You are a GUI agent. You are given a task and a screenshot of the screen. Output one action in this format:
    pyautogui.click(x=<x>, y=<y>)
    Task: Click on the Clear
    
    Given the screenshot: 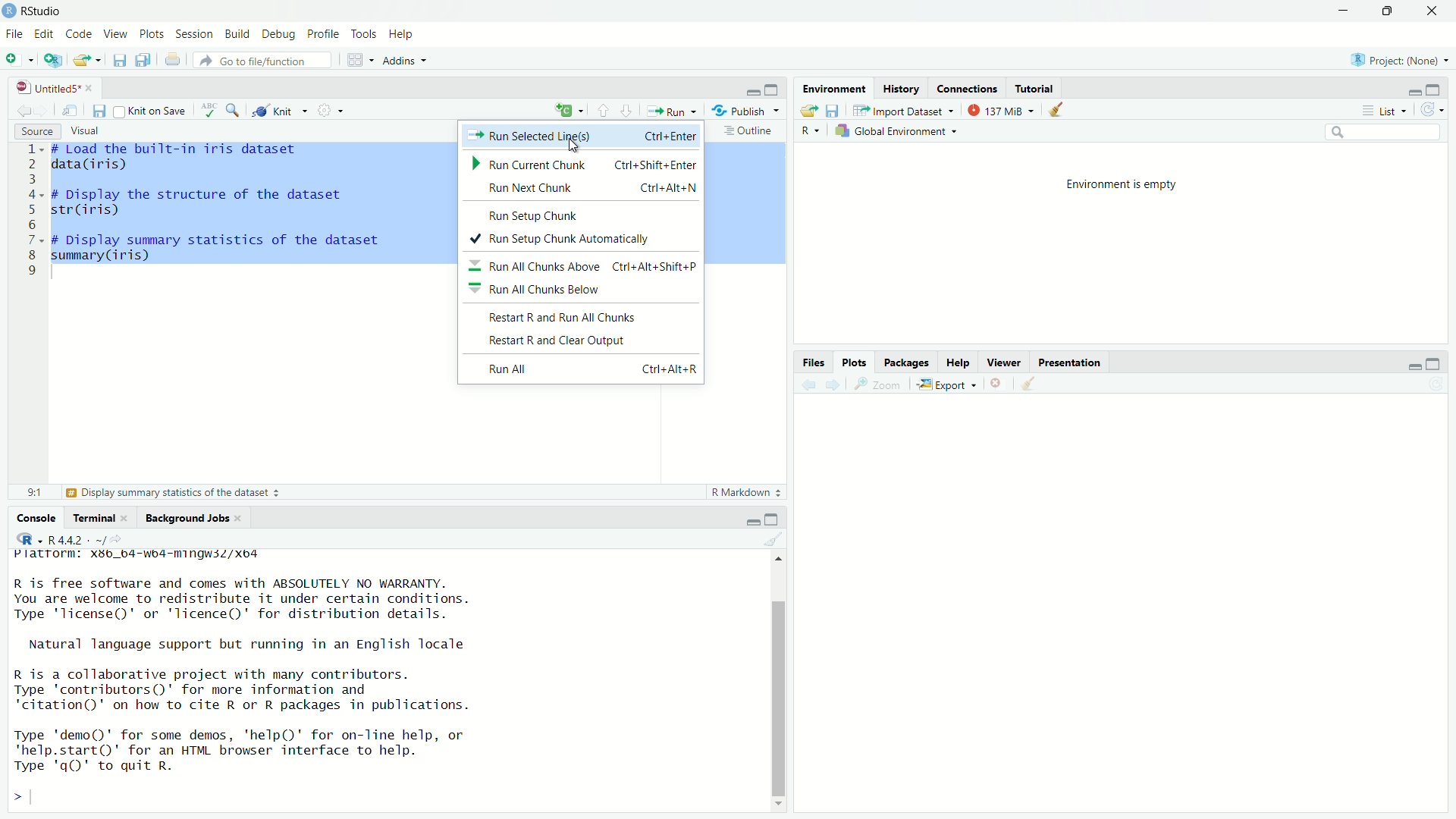 What is the action you would take?
    pyautogui.click(x=1031, y=383)
    